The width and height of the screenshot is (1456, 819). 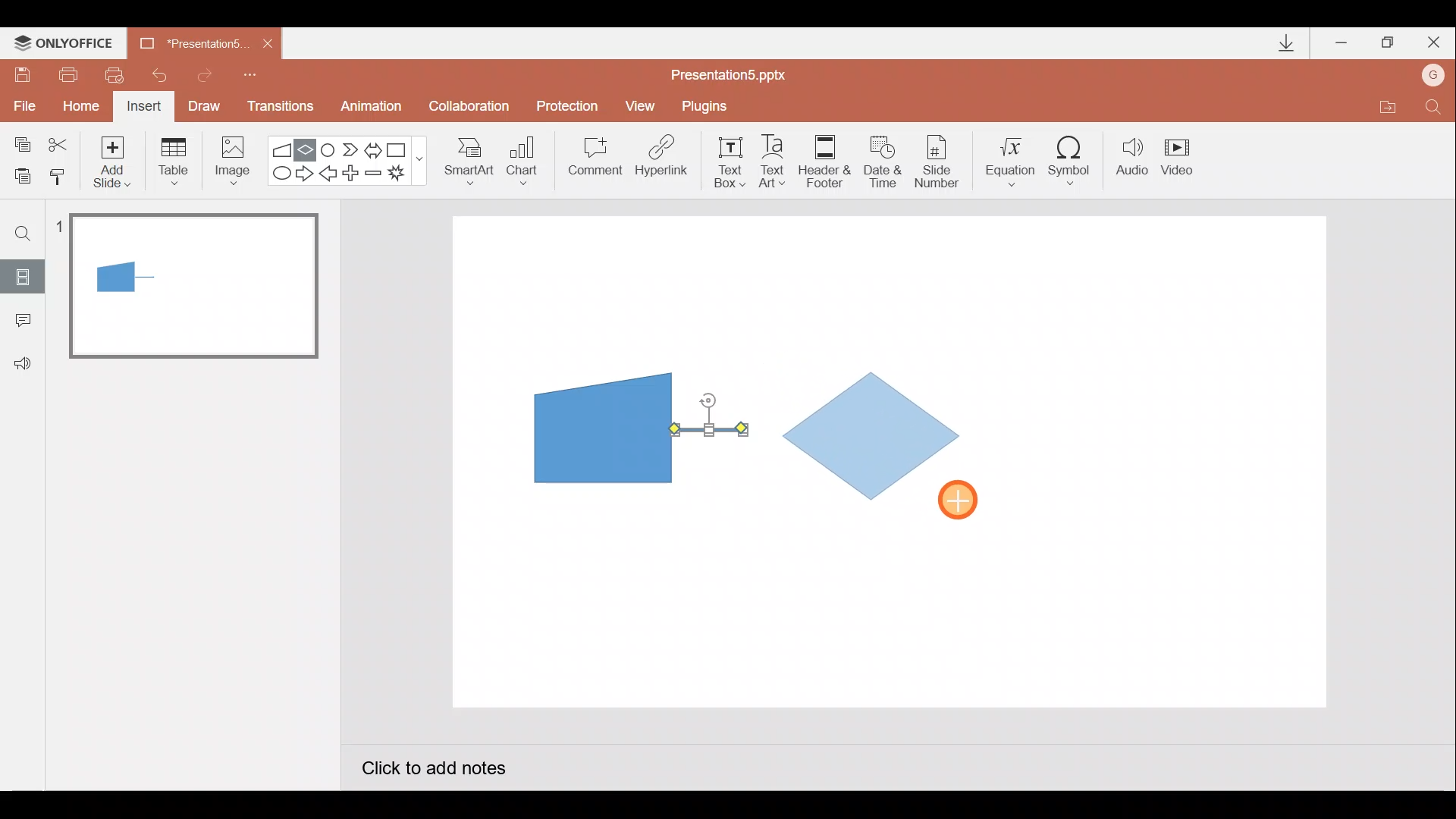 I want to click on Symbol, so click(x=1075, y=160).